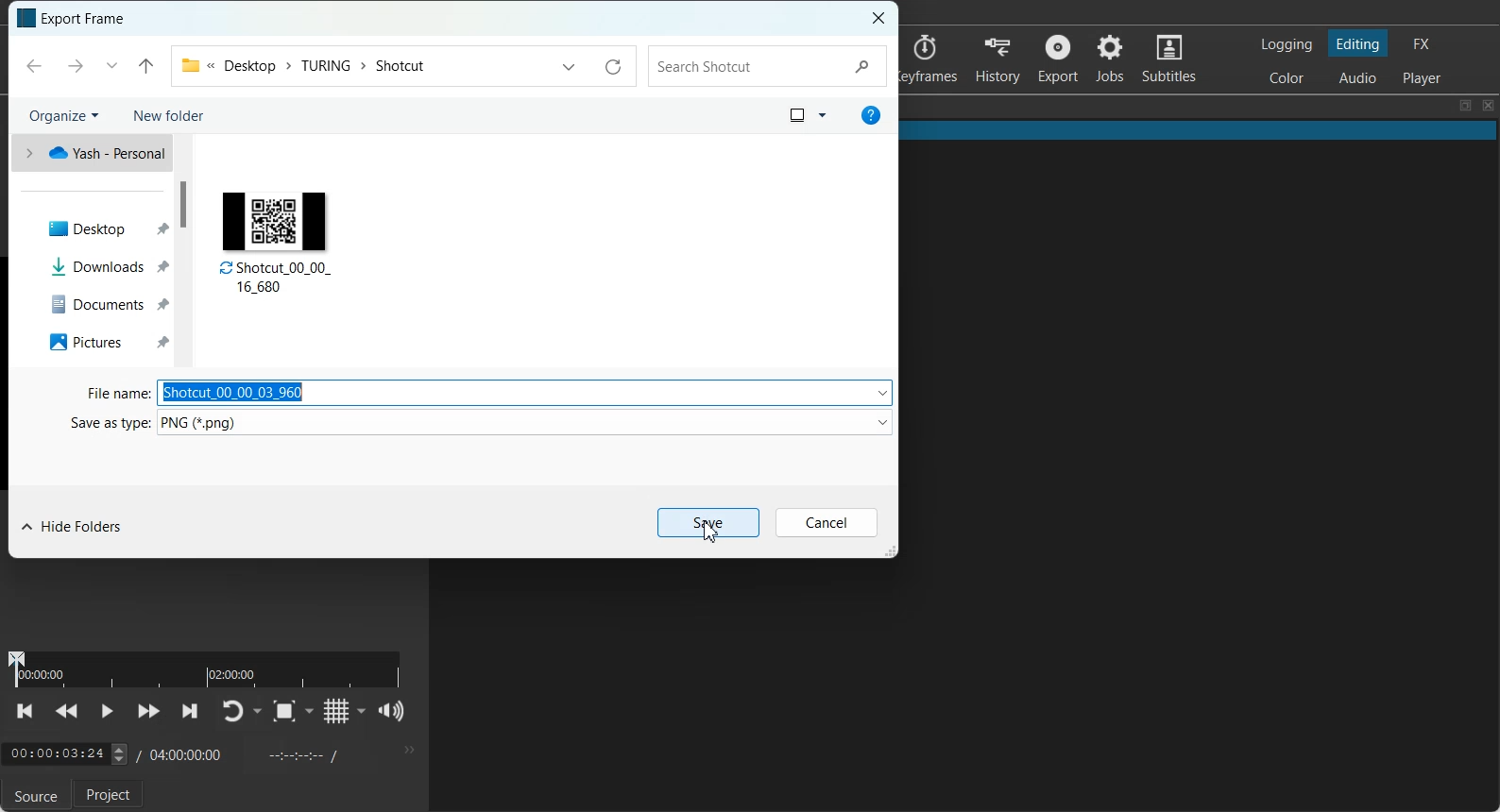 The width and height of the screenshot is (1500, 812). I want to click on Project, so click(111, 795).